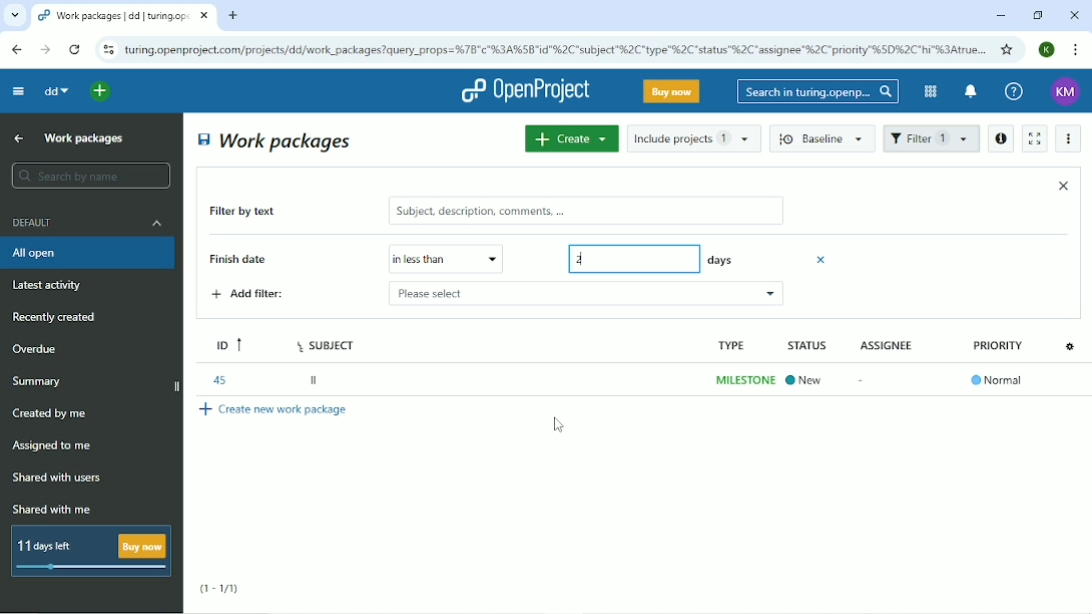 The width and height of the screenshot is (1092, 614). What do you see at coordinates (1077, 50) in the screenshot?
I see `Customize and control google chrome` at bounding box center [1077, 50].